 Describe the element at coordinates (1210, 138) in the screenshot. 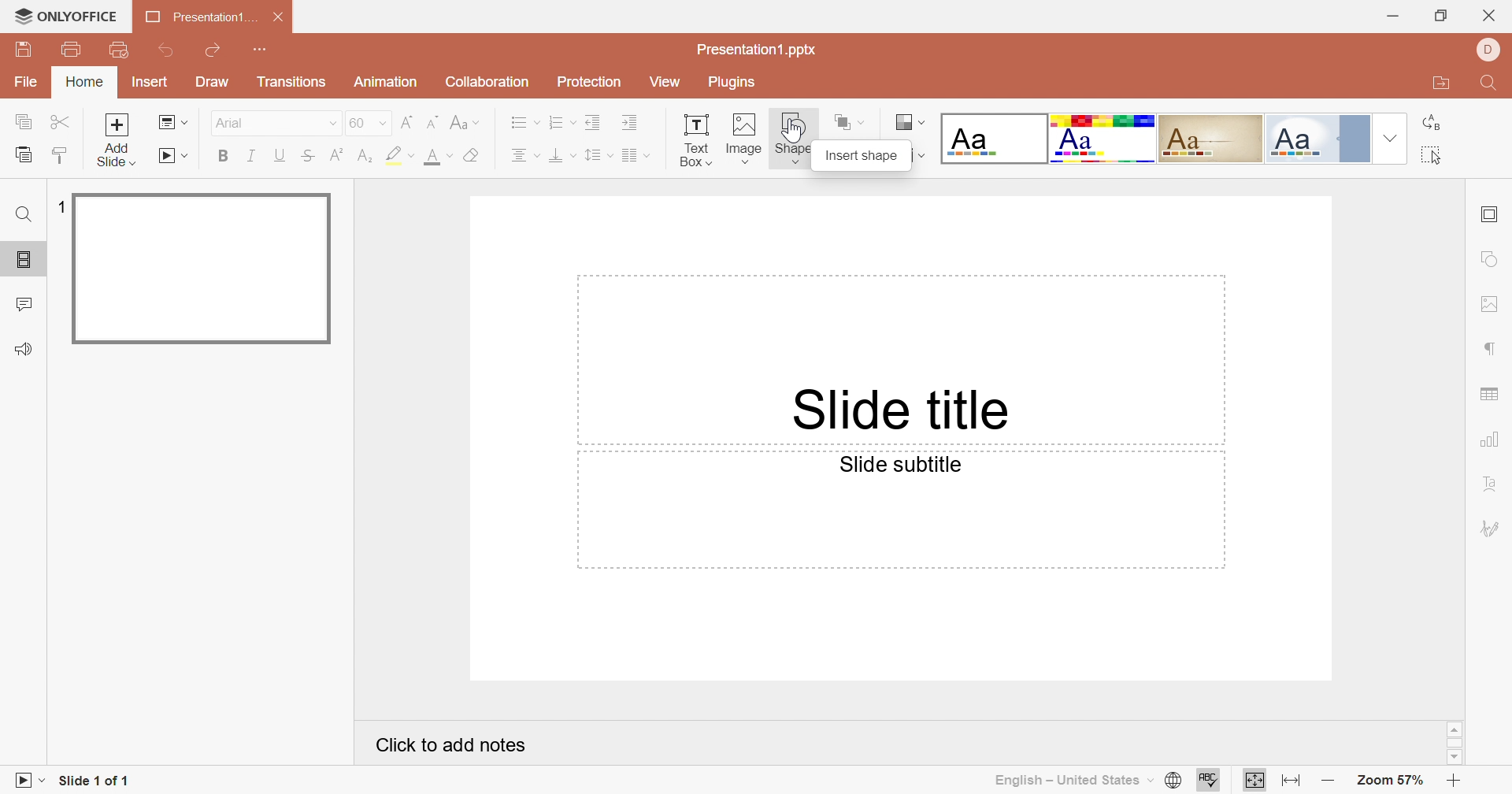

I see `Classic` at that location.